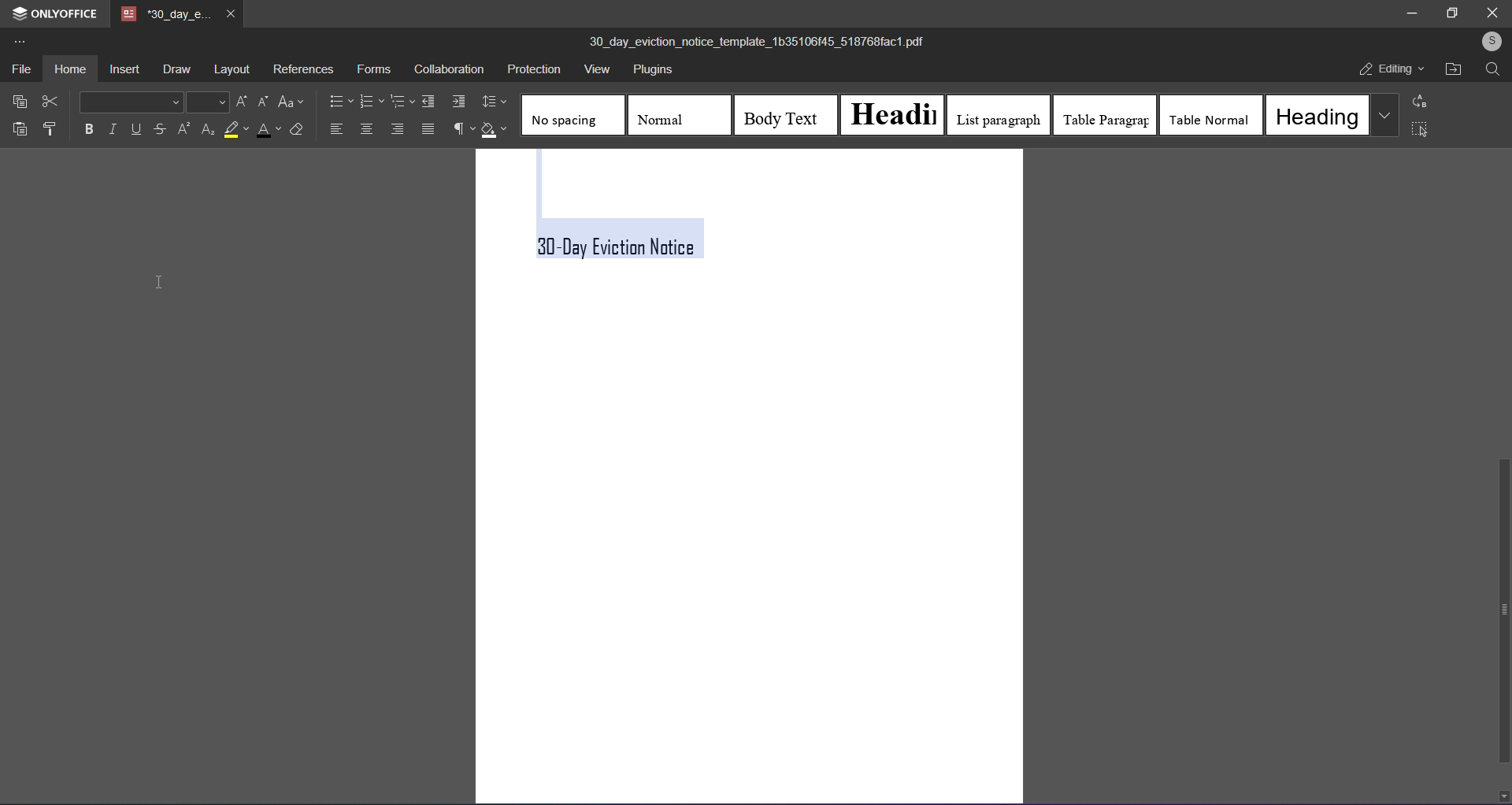  Describe the element at coordinates (572, 117) in the screenshot. I see `no spacing` at that location.